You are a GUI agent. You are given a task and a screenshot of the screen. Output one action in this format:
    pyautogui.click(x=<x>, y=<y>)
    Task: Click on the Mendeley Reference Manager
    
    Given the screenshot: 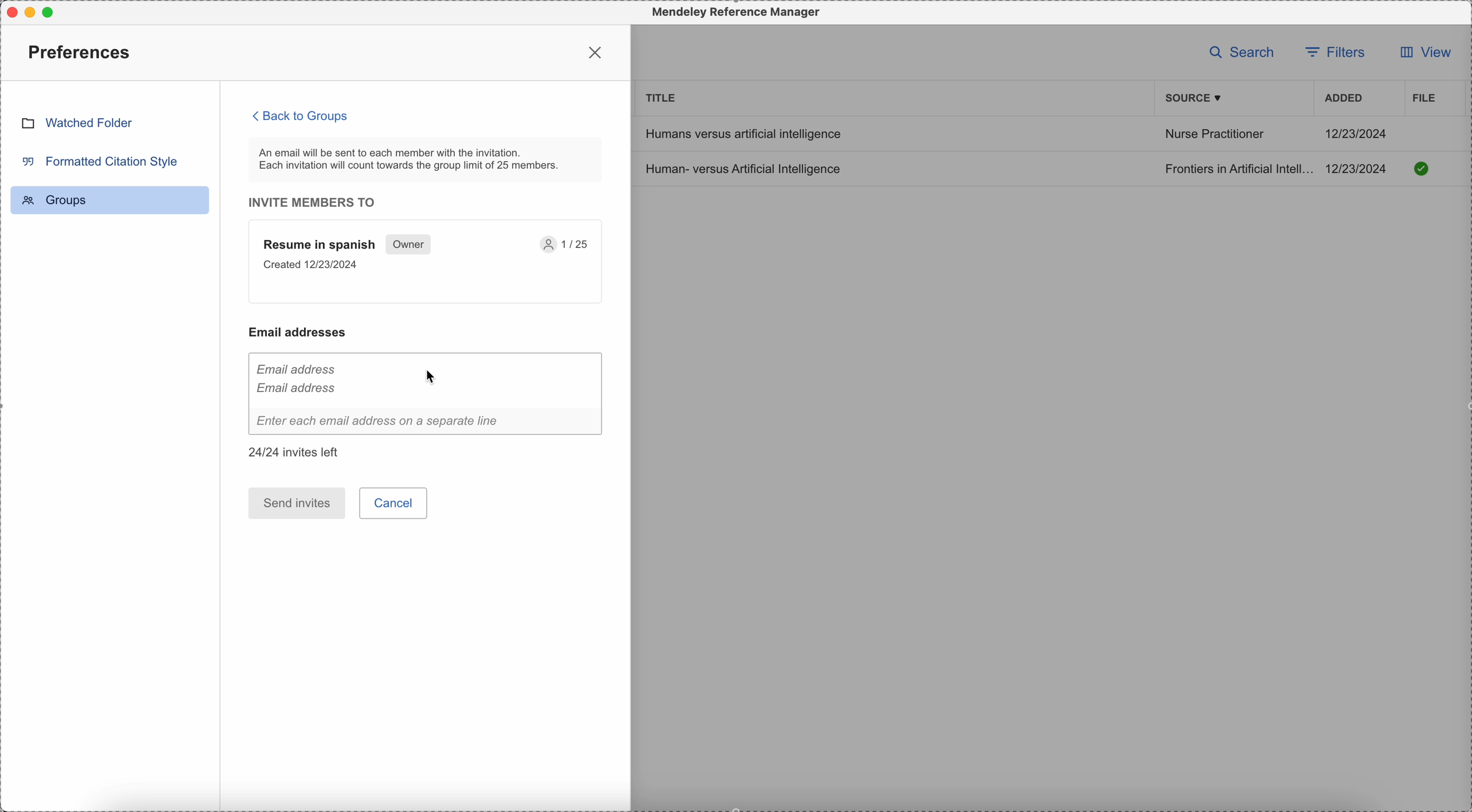 What is the action you would take?
    pyautogui.click(x=733, y=13)
    